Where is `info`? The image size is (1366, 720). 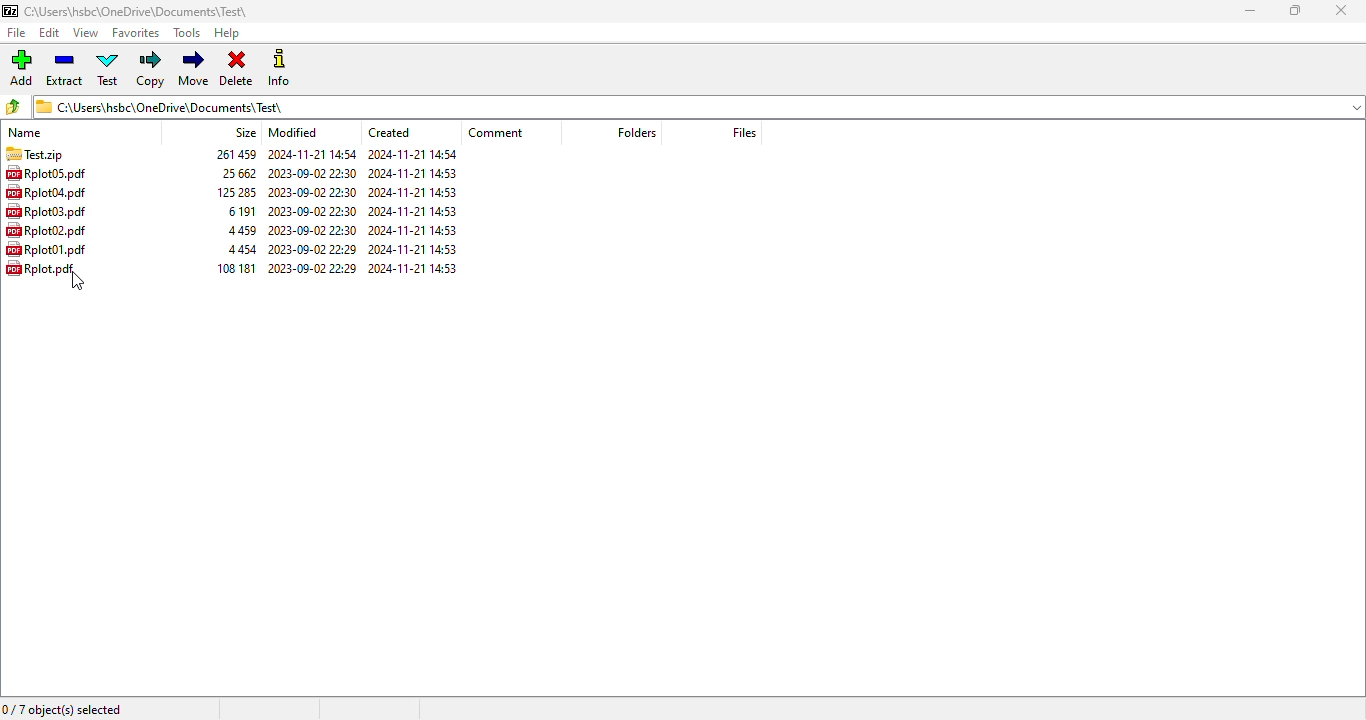
info is located at coordinates (280, 67).